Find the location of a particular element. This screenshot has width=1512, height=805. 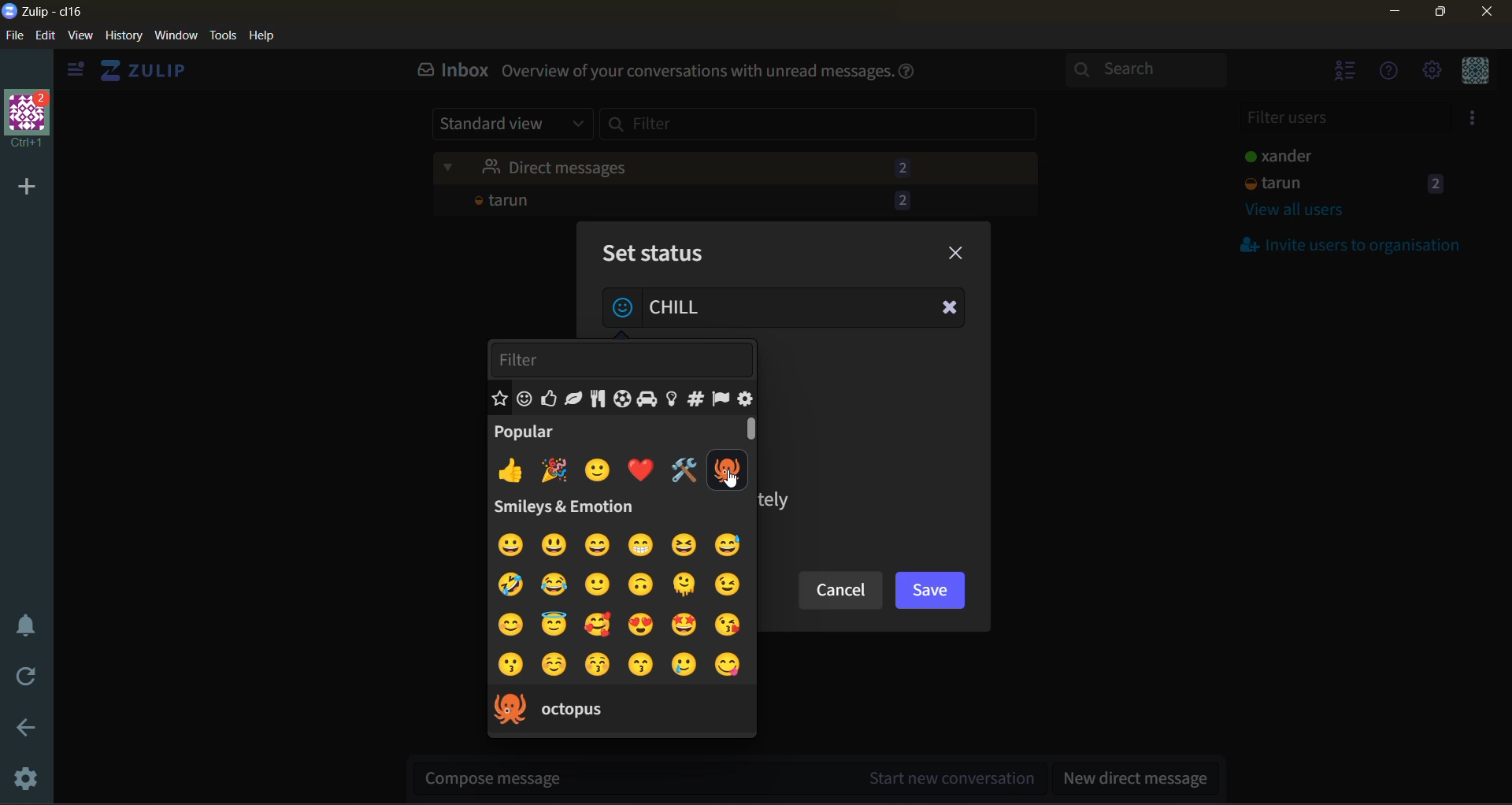

help is located at coordinates (910, 70).